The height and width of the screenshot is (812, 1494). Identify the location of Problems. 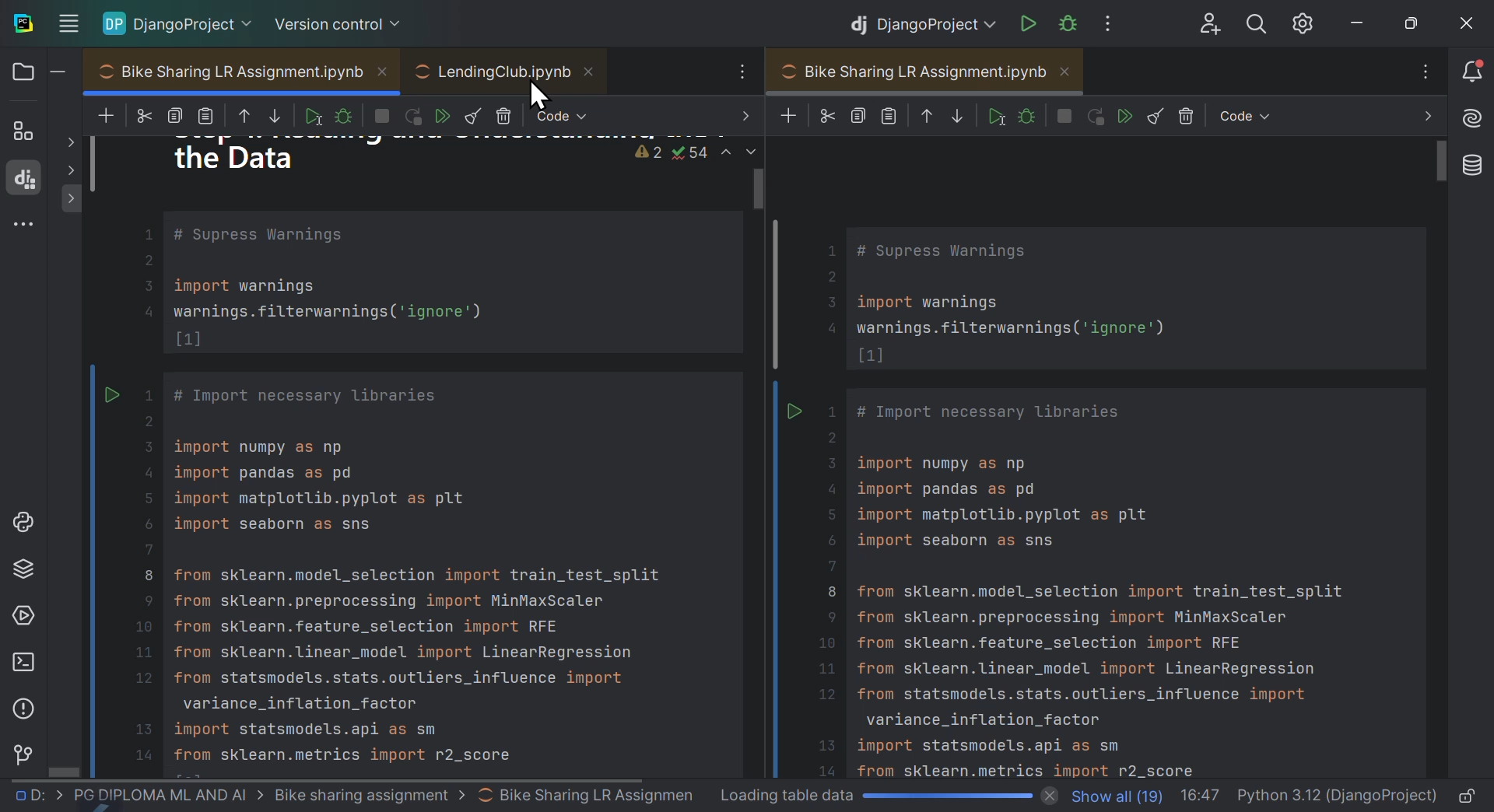
(23, 707).